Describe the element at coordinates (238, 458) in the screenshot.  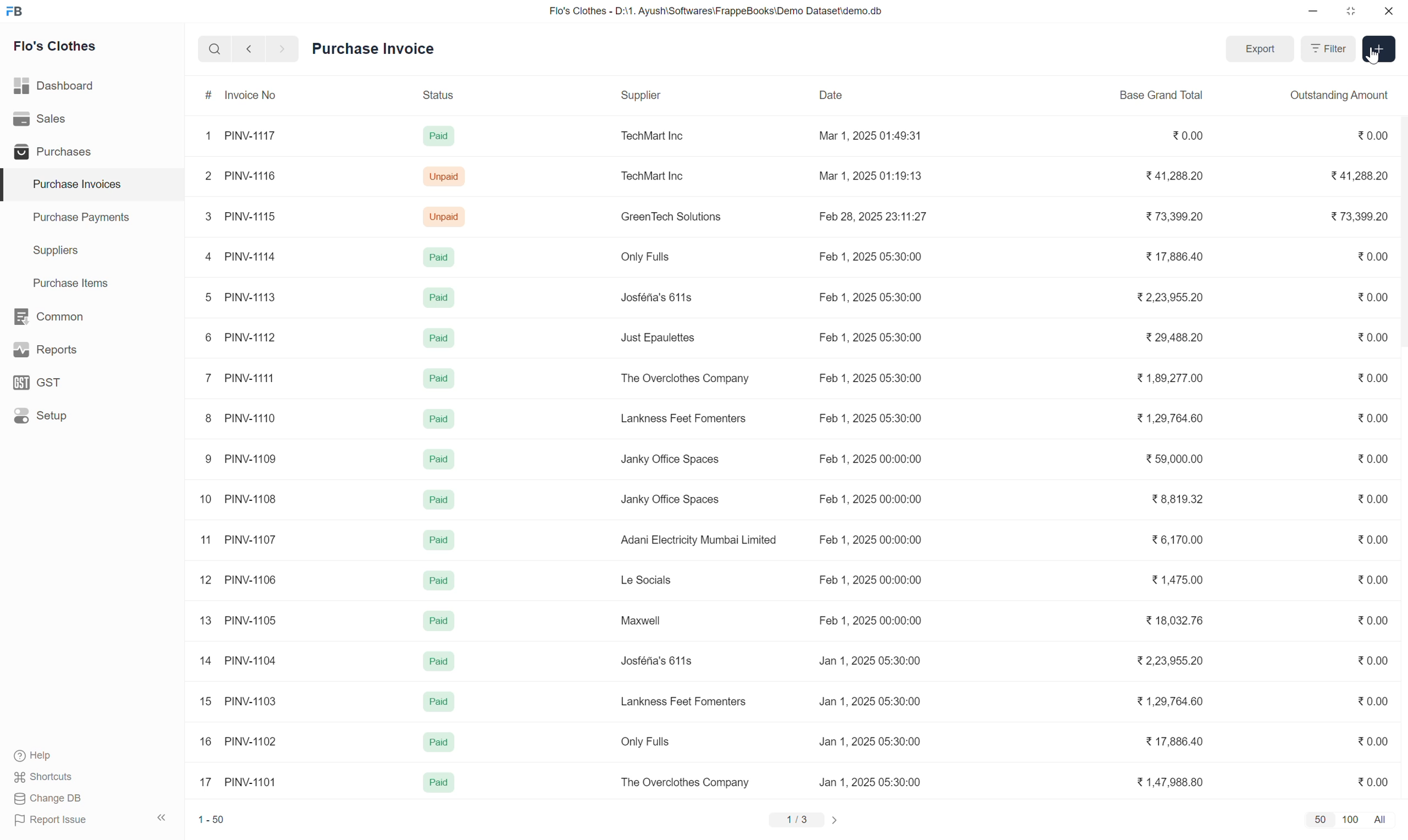
I see `9 PINV-1109` at that location.